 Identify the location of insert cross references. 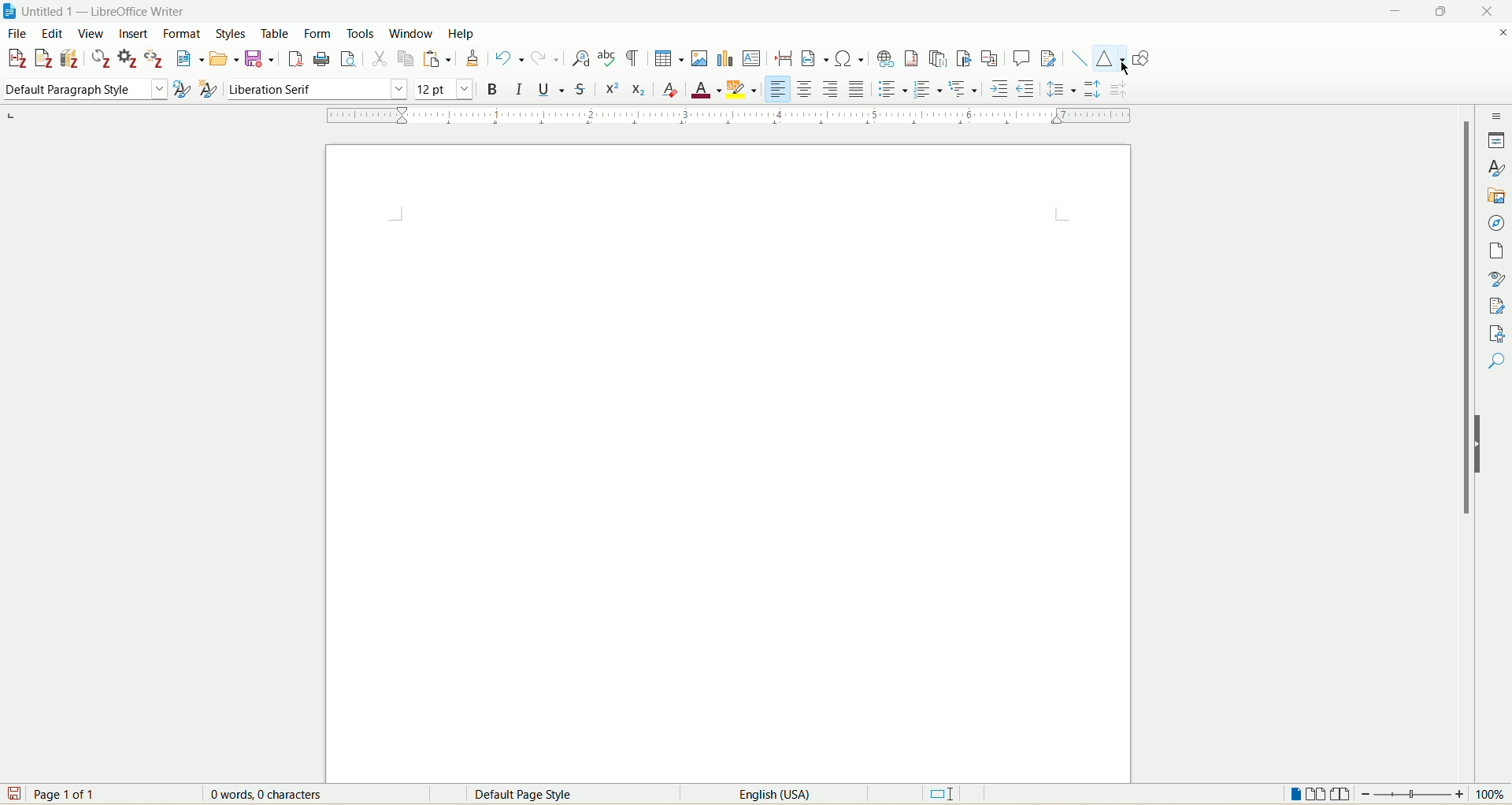
(990, 57).